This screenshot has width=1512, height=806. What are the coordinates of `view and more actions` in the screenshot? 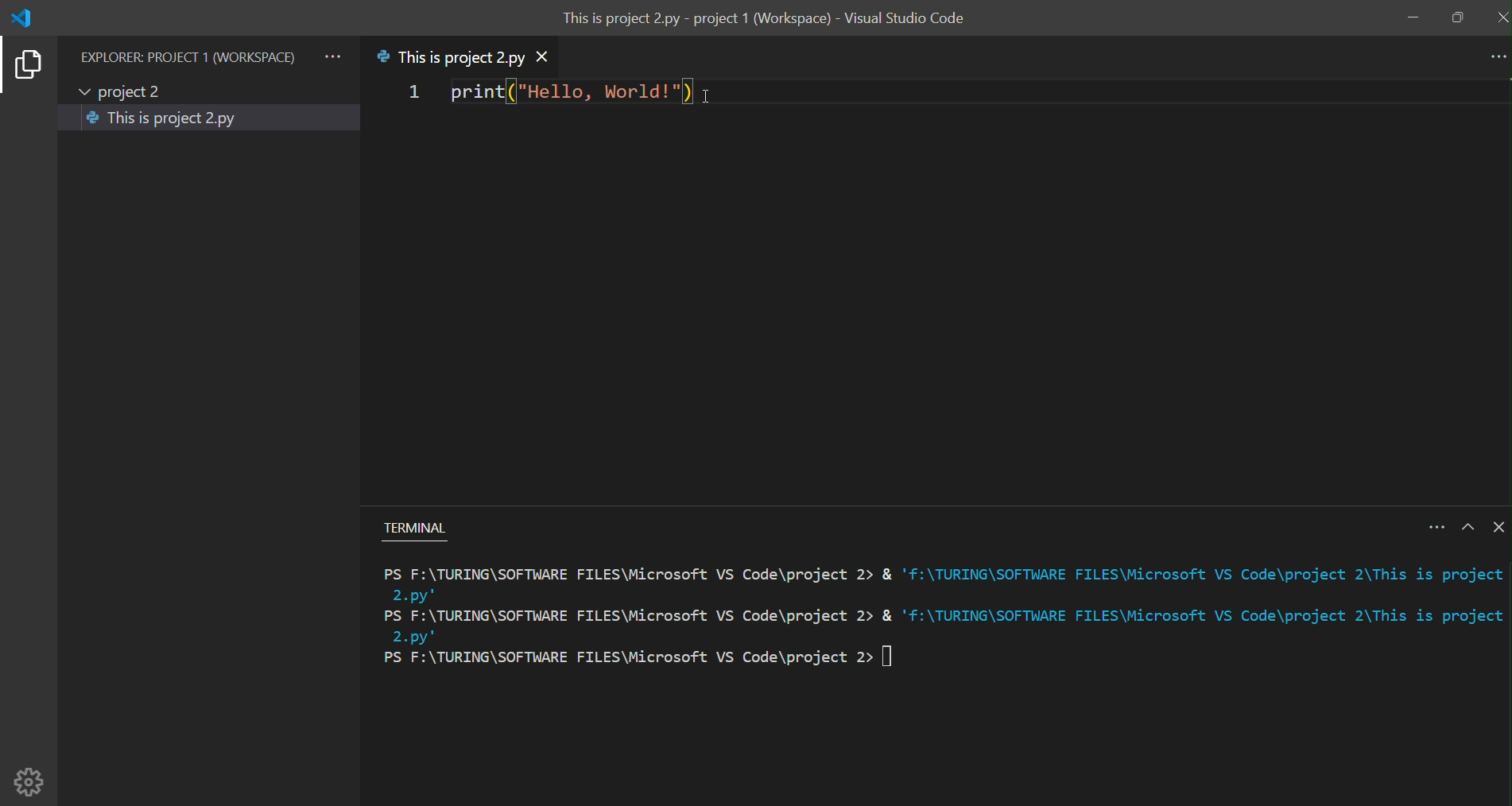 It's located at (1431, 525).